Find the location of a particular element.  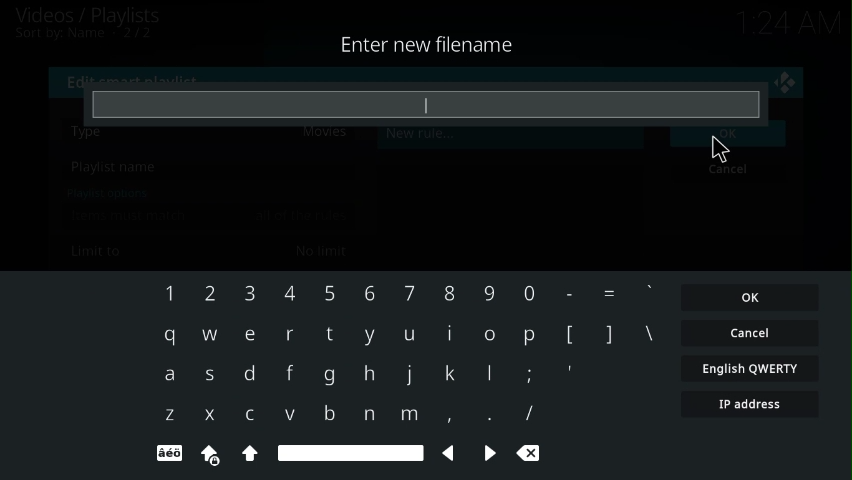

j is located at coordinates (407, 375).